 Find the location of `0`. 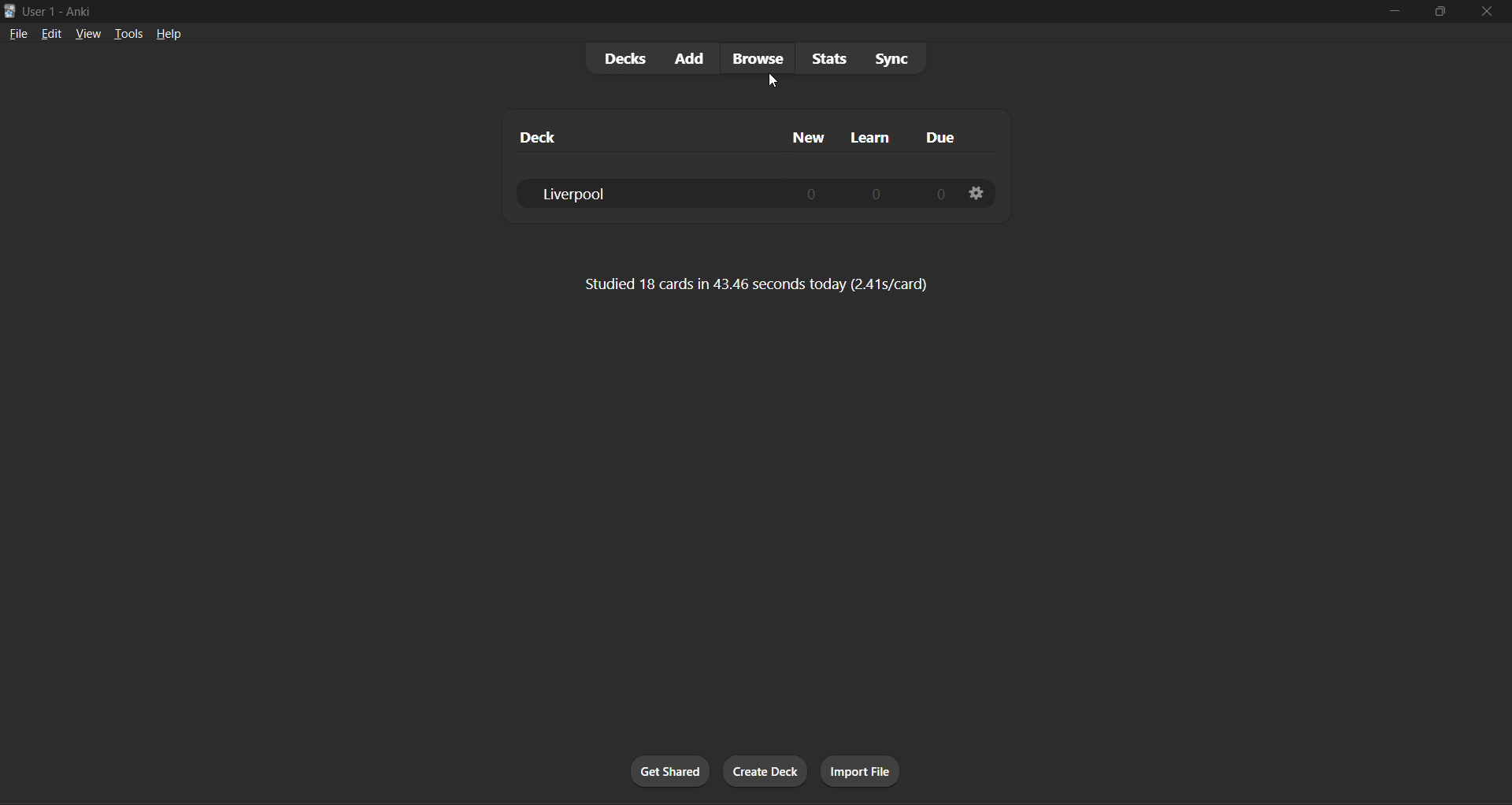

0 is located at coordinates (872, 191).